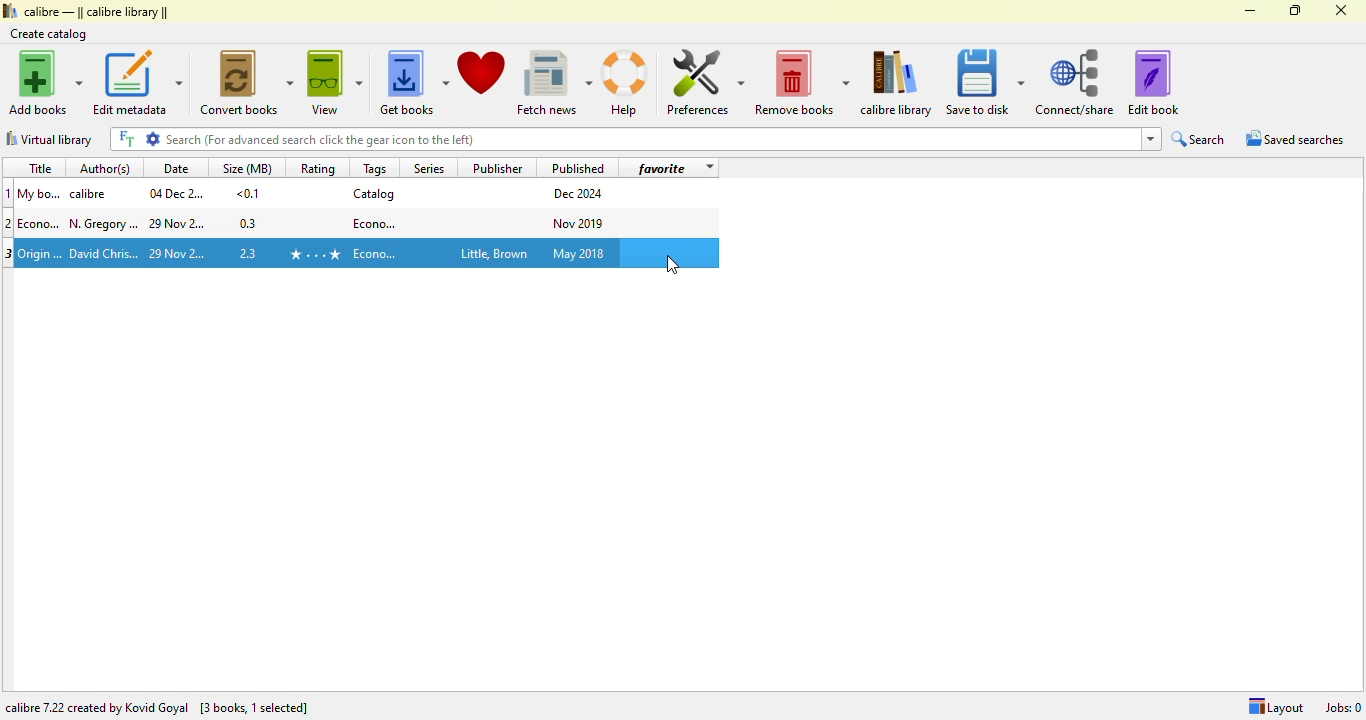  I want to click on cursor, so click(673, 264).